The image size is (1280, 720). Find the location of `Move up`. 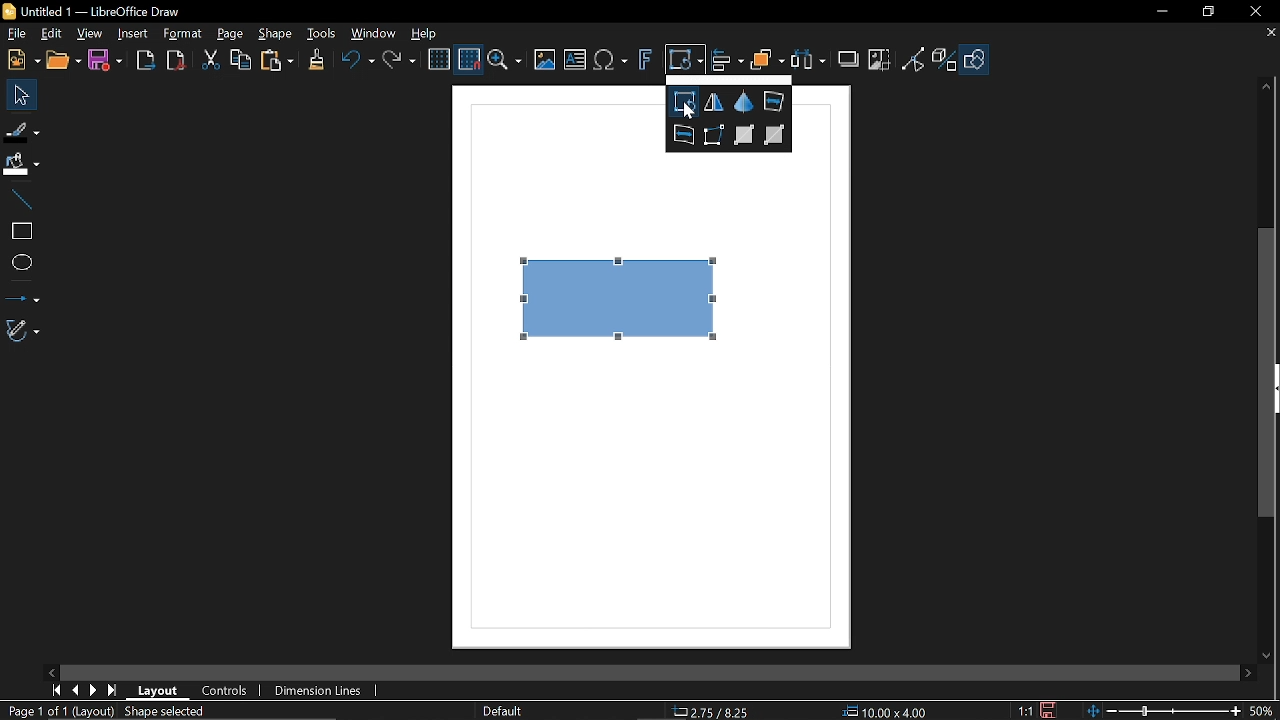

Move up is located at coordinates (1269, 87).